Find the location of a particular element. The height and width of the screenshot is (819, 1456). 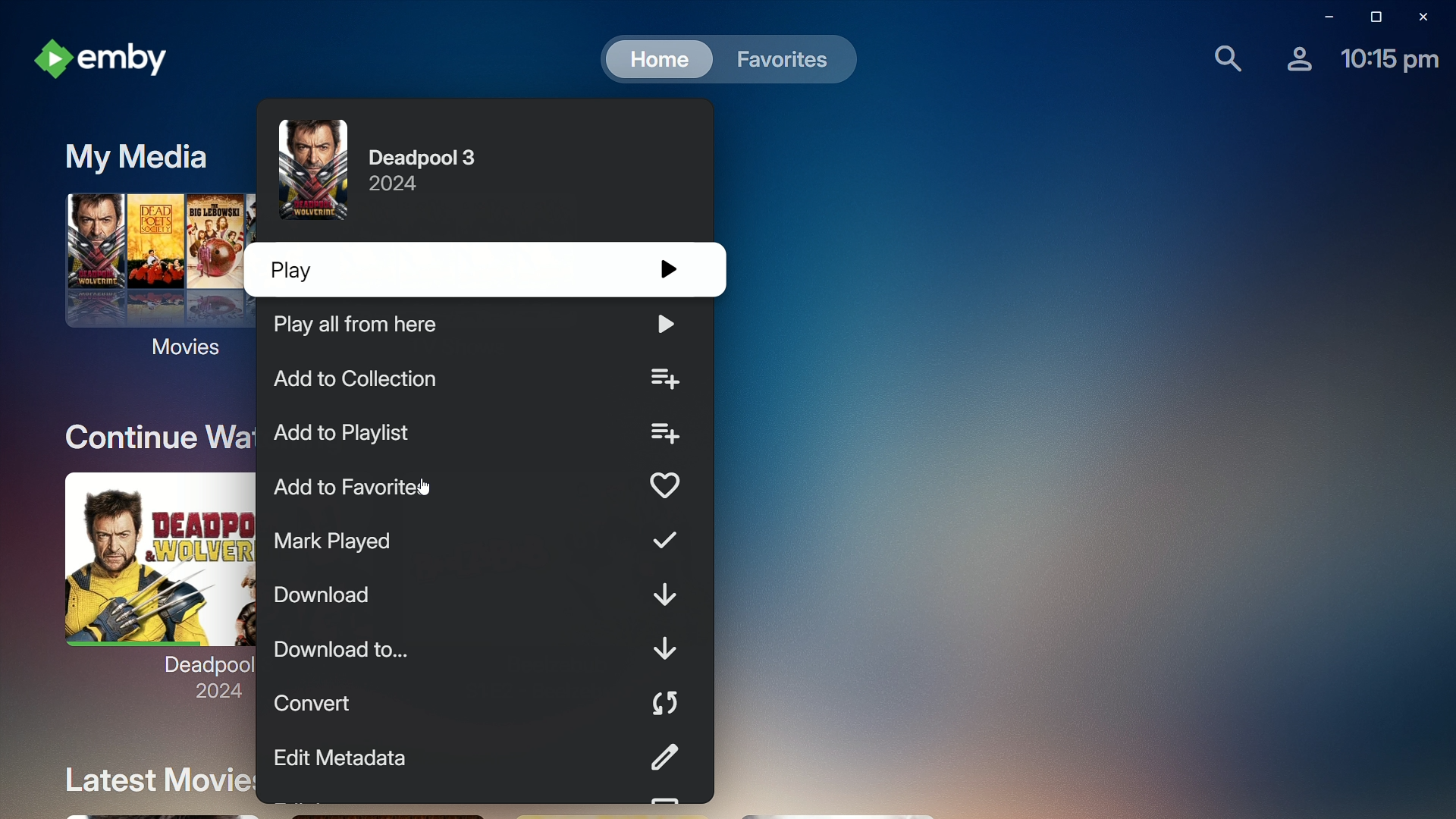

Mark Played is located at coordinates (484, 544).